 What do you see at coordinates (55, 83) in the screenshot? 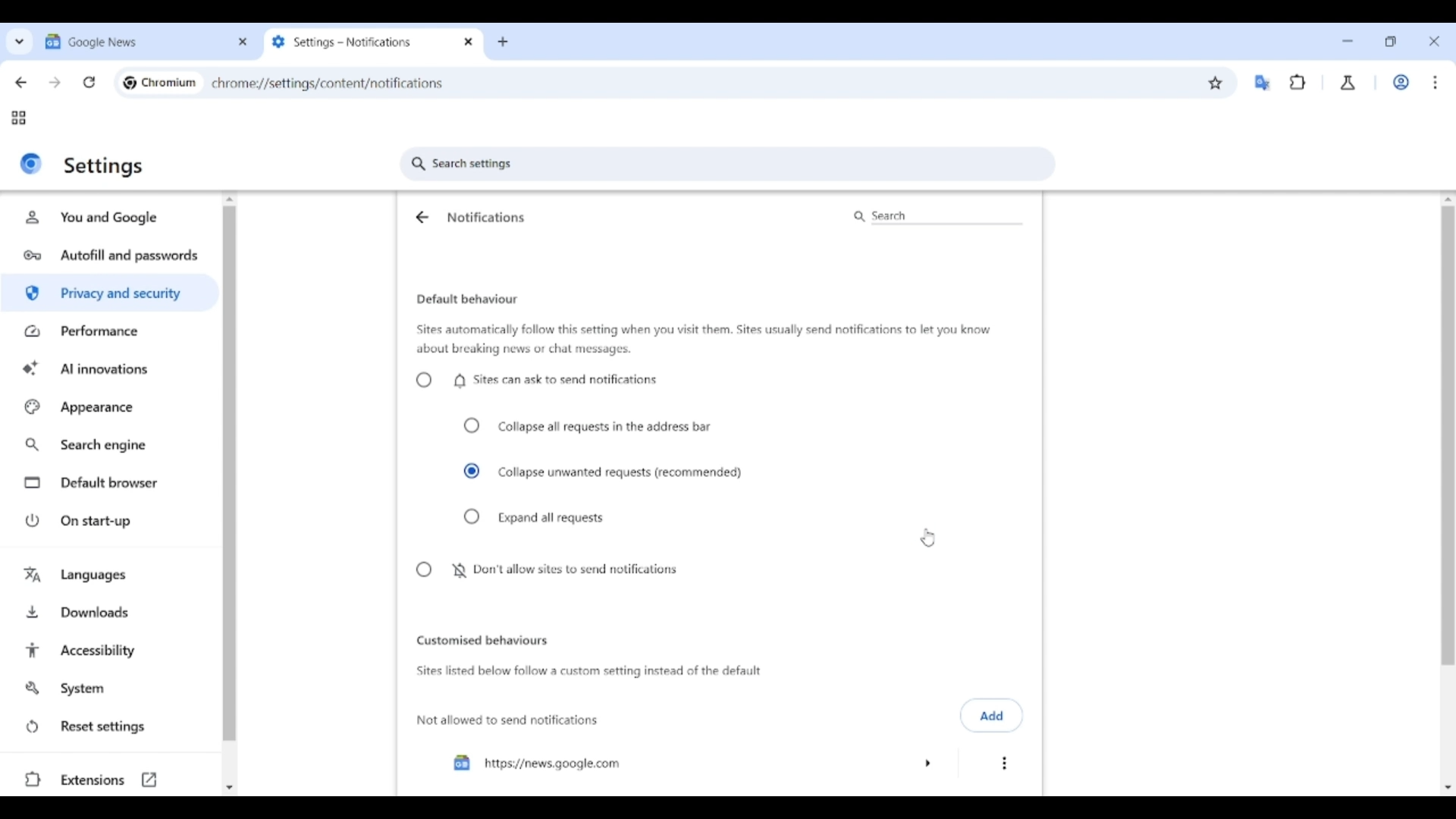
I see `Go forward` at bounding box center [55, 83].